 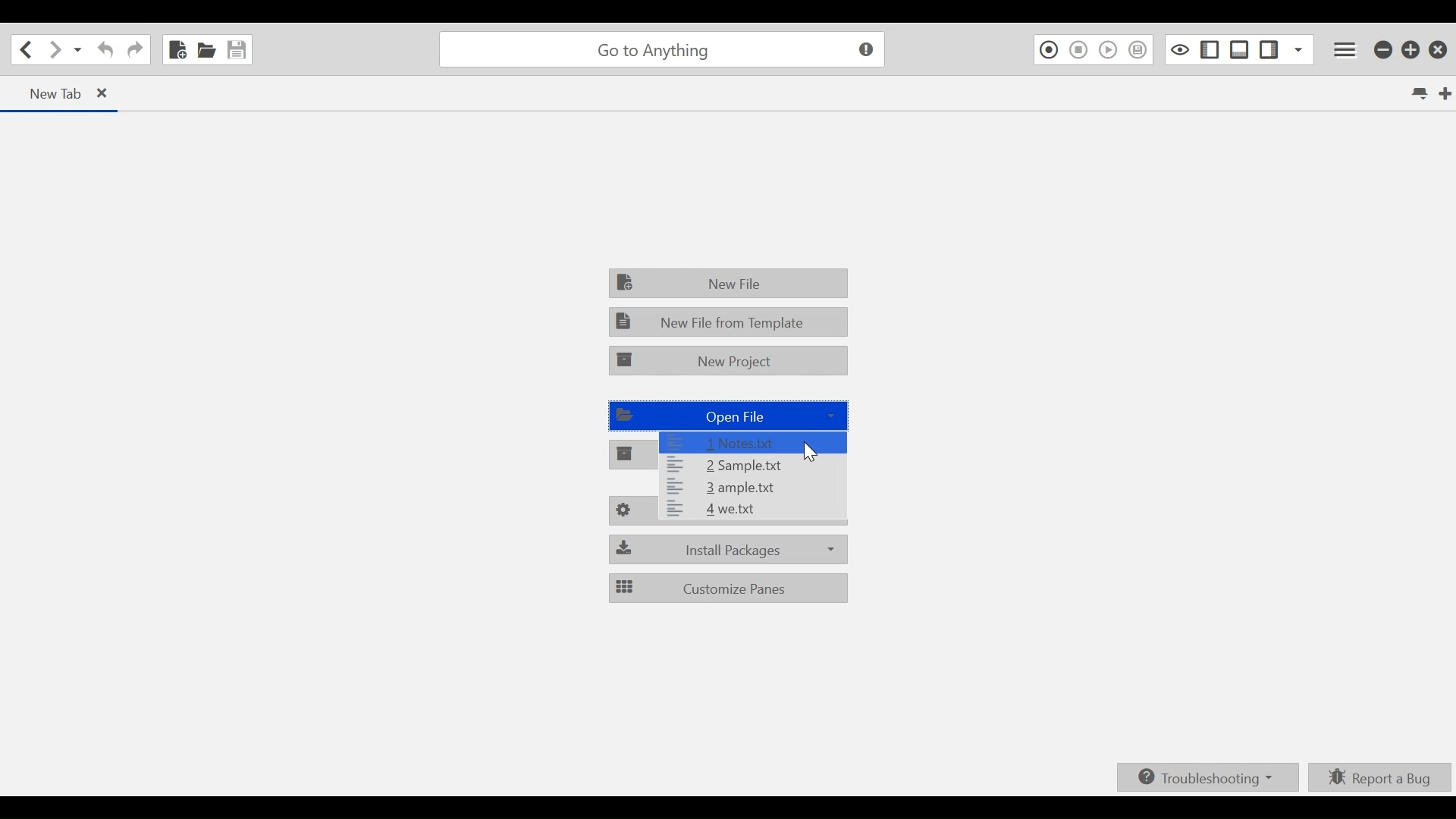 What do you see at coordinates (1241, 49) in the screenshot?
I see `Show/Hide Bottom Pane` at bounding box center [1241, 49].